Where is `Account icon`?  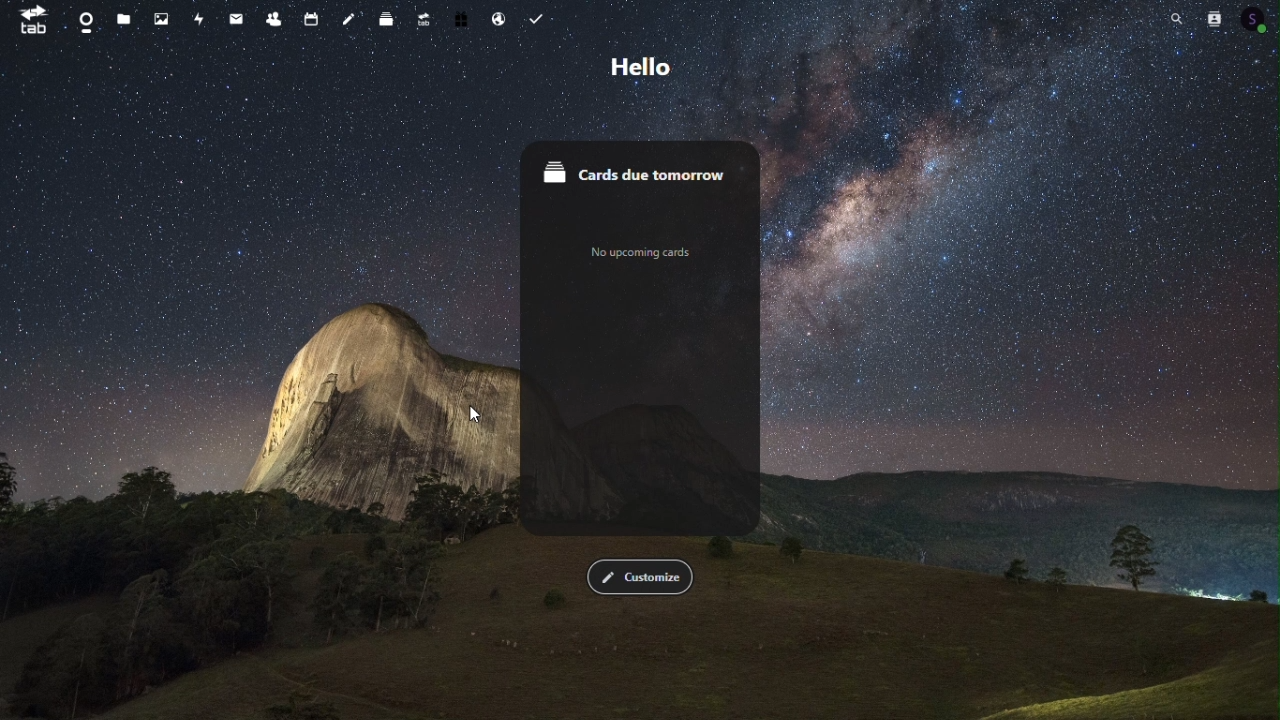
Account icon is located at coordinates (1256, 19).